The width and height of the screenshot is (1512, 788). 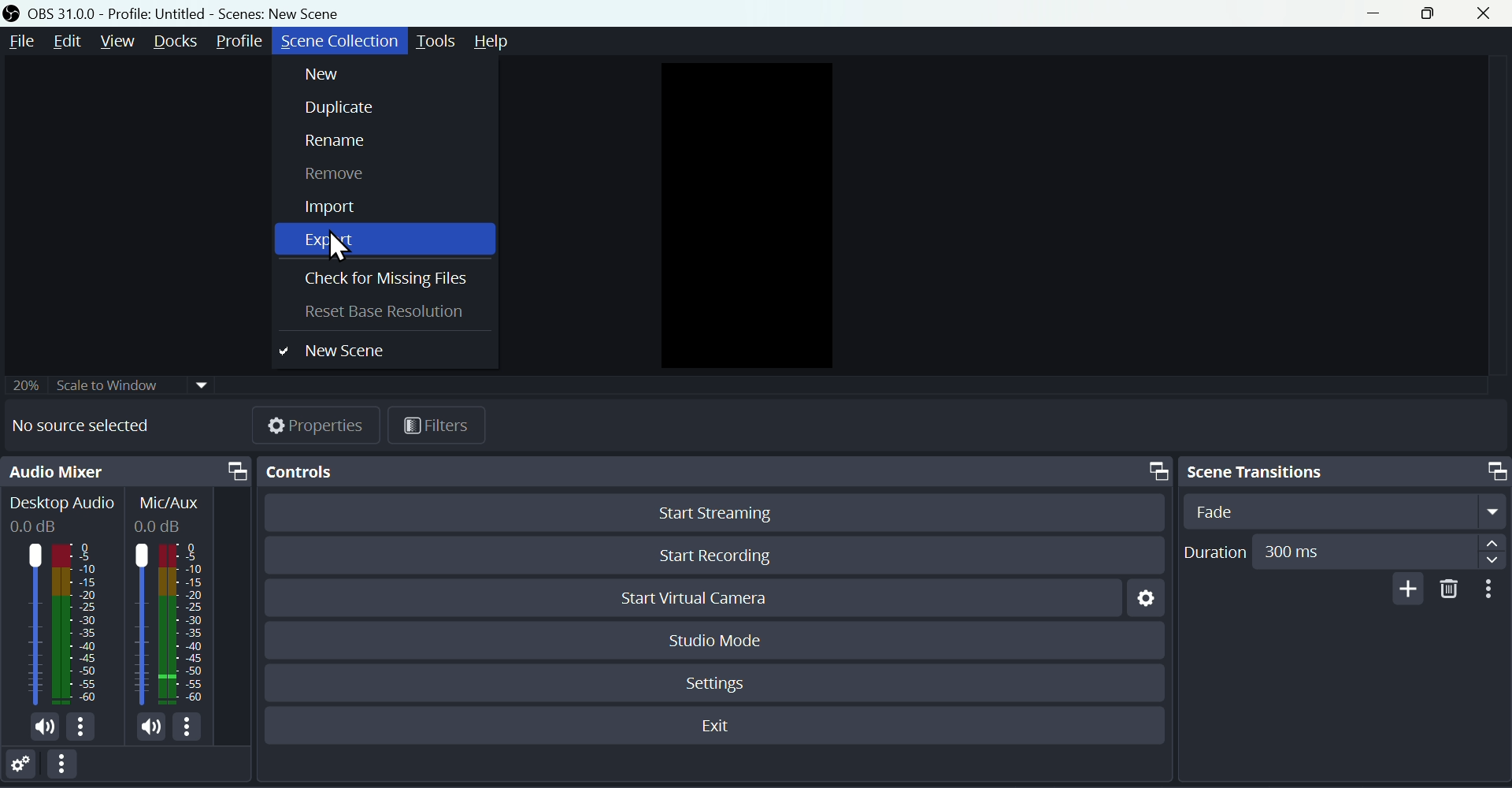 What do you see at coordinates (180, 13) in the screenshot?
I see `OBS 30.0 .0 Profile: untitled, Scenes: New scenes` at bounding box center [180, 13].